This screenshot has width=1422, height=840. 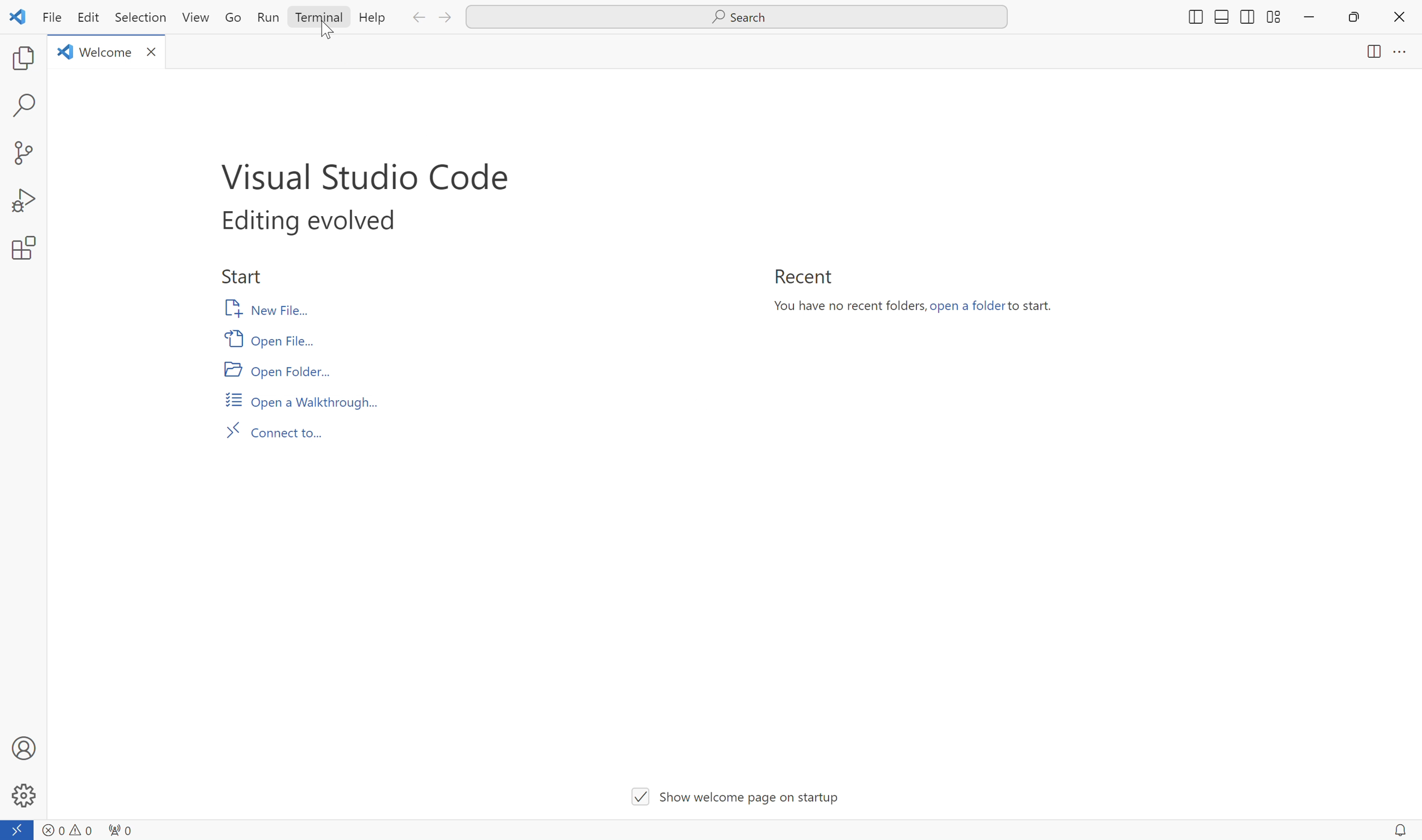 I want to click on V/| Show welcome page on startup, so click(x=738, y=794).